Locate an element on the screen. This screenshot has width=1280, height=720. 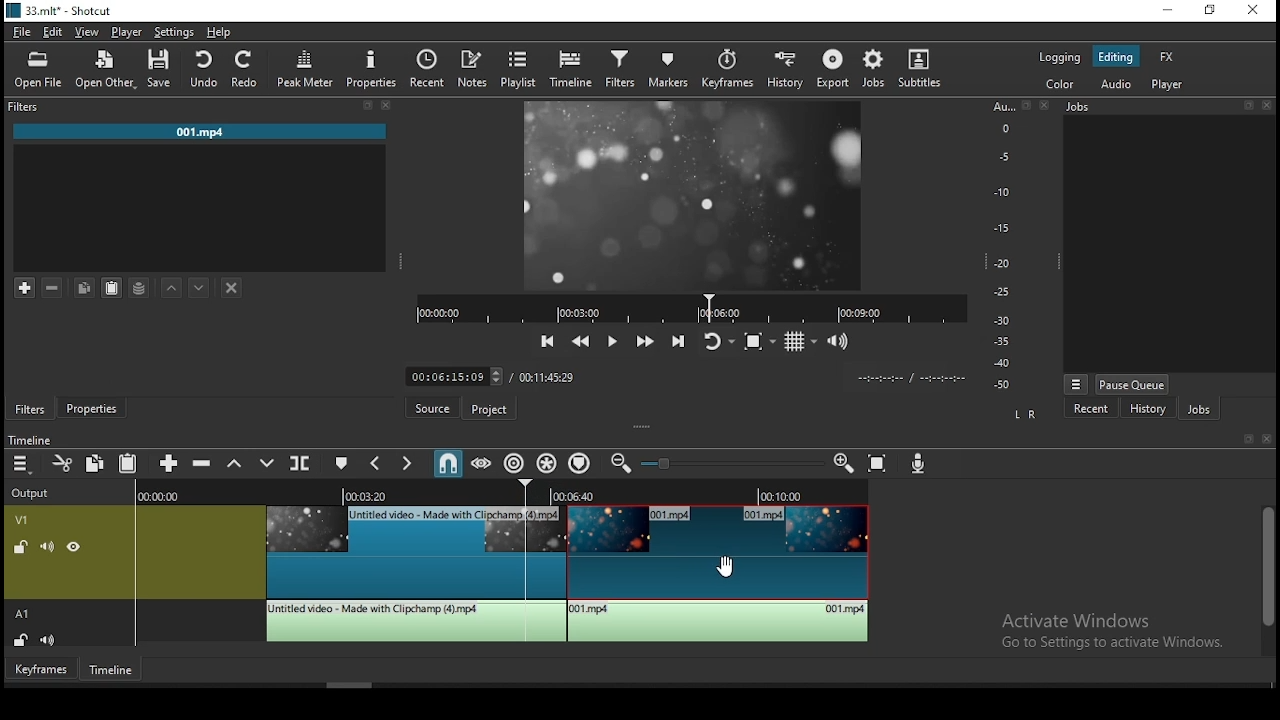
audio is located at coordinates (1115, 86).